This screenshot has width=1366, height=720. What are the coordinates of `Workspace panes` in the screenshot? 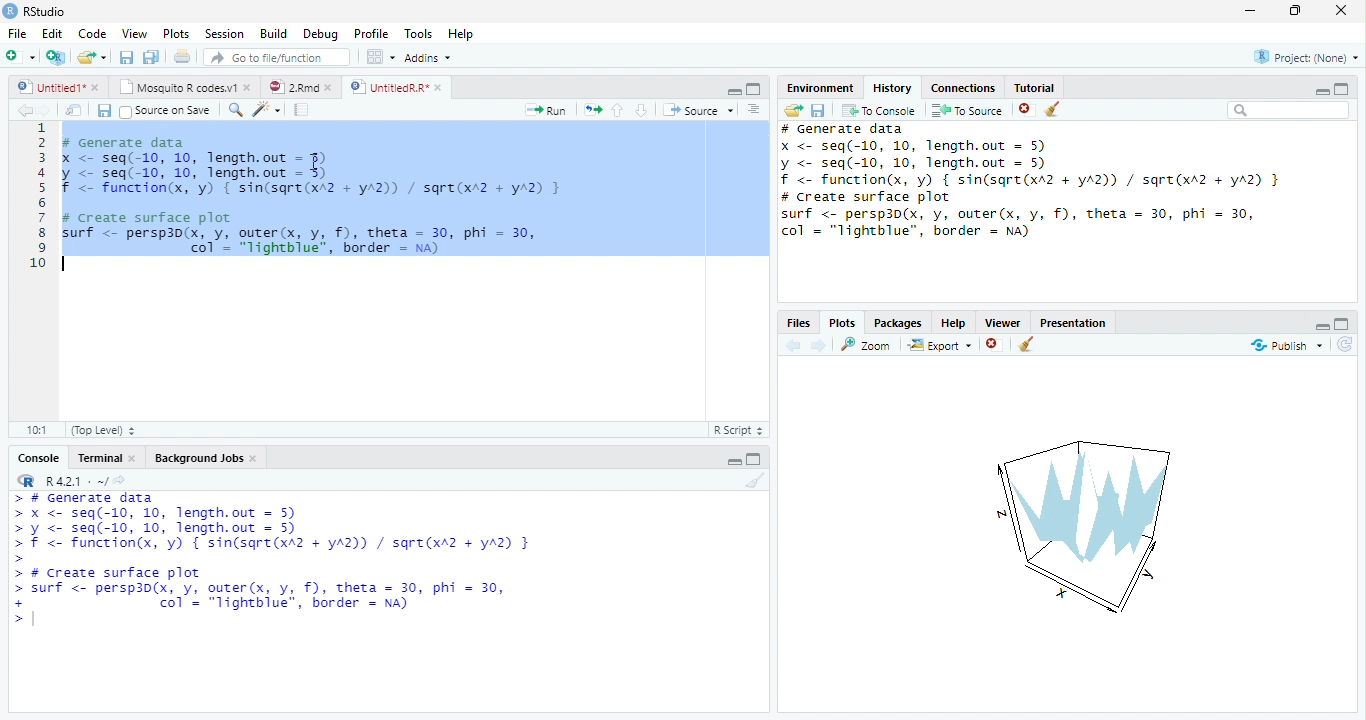 It's located at (379, 56).